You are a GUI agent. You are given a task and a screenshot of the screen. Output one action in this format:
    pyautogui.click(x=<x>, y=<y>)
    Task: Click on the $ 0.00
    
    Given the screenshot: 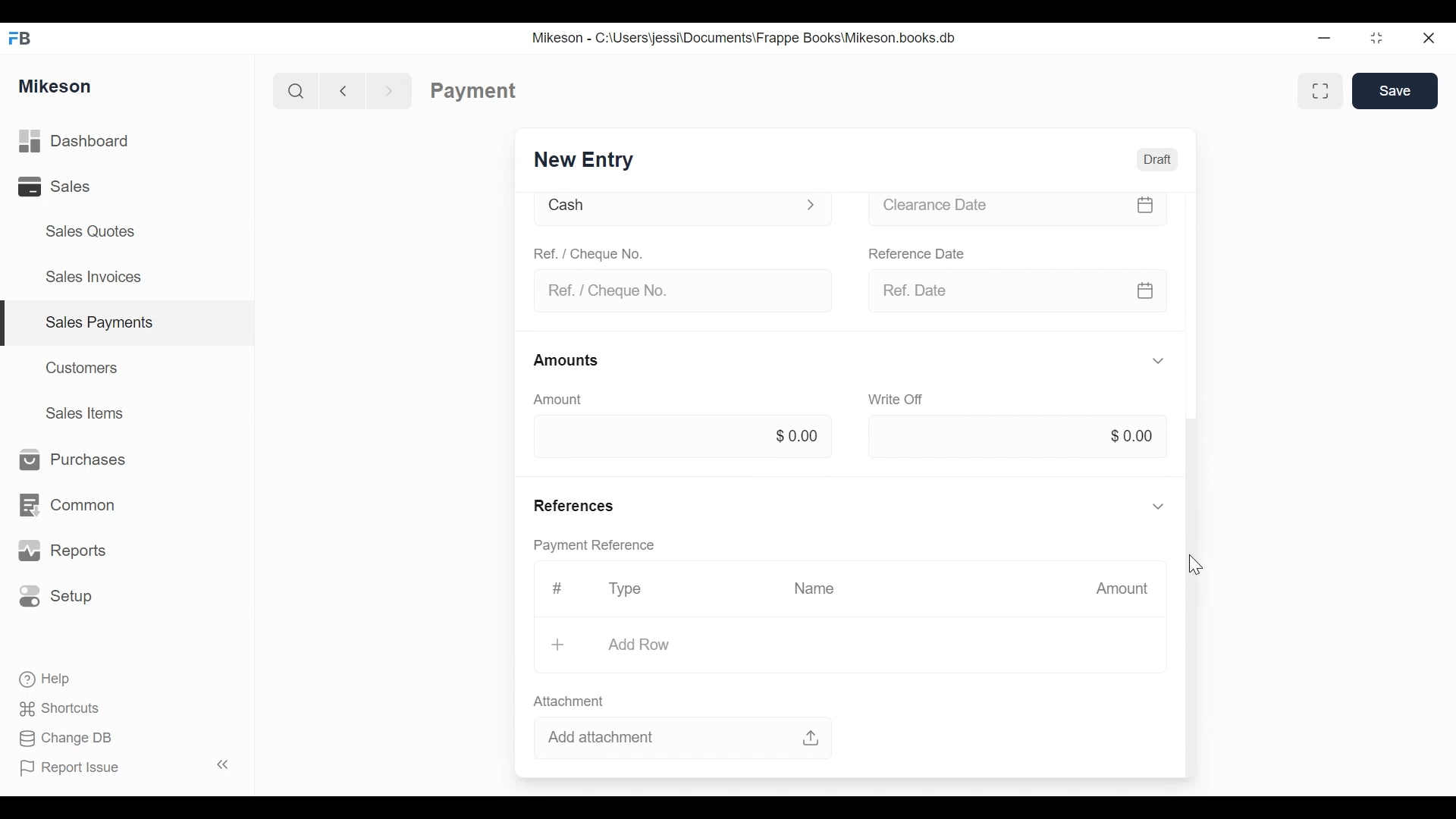 What is the action you would take?
    pyautogui.click(x=799, y=434)
    